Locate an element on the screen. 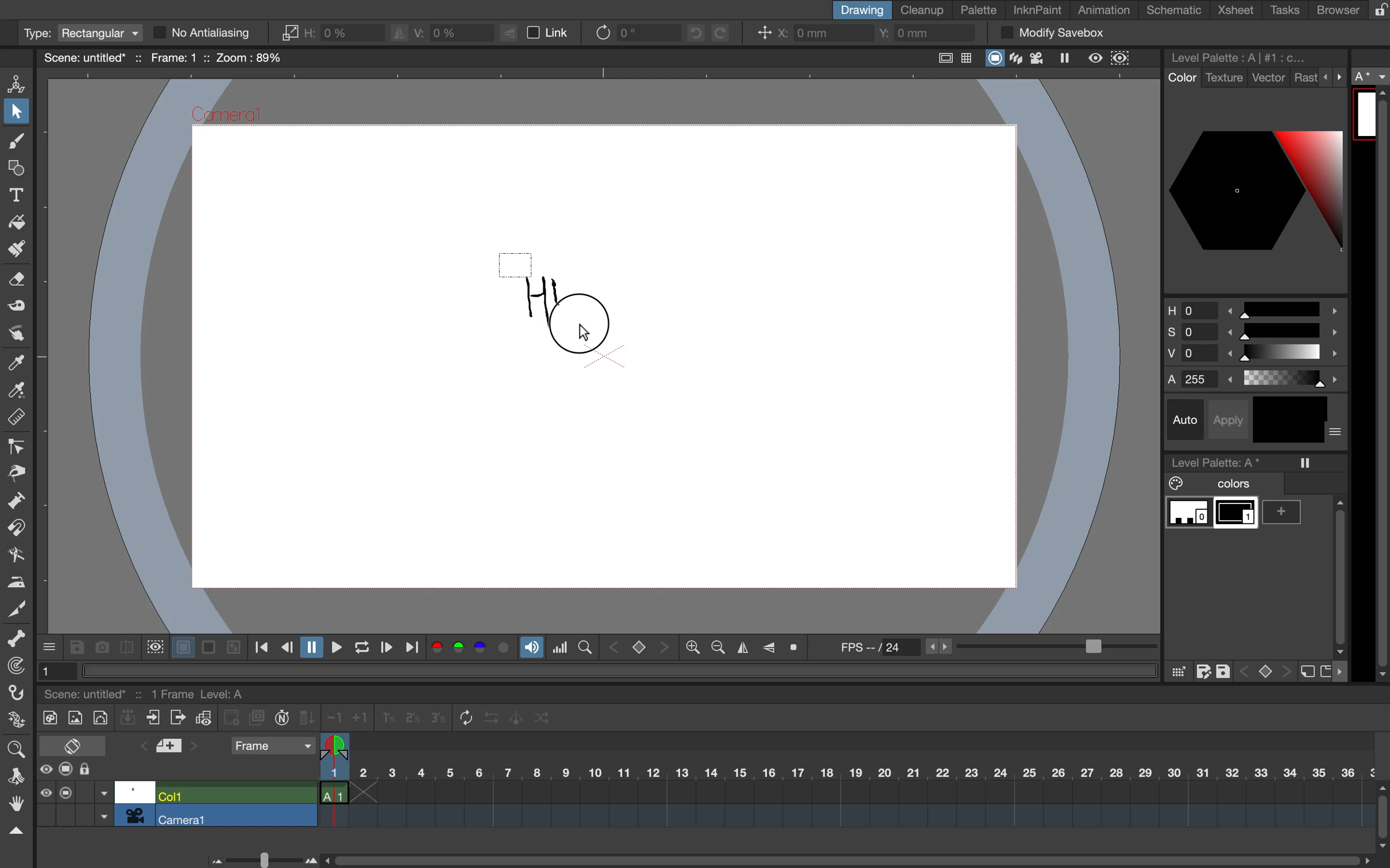  close xsubsheet is located at coordinates (153, 718).